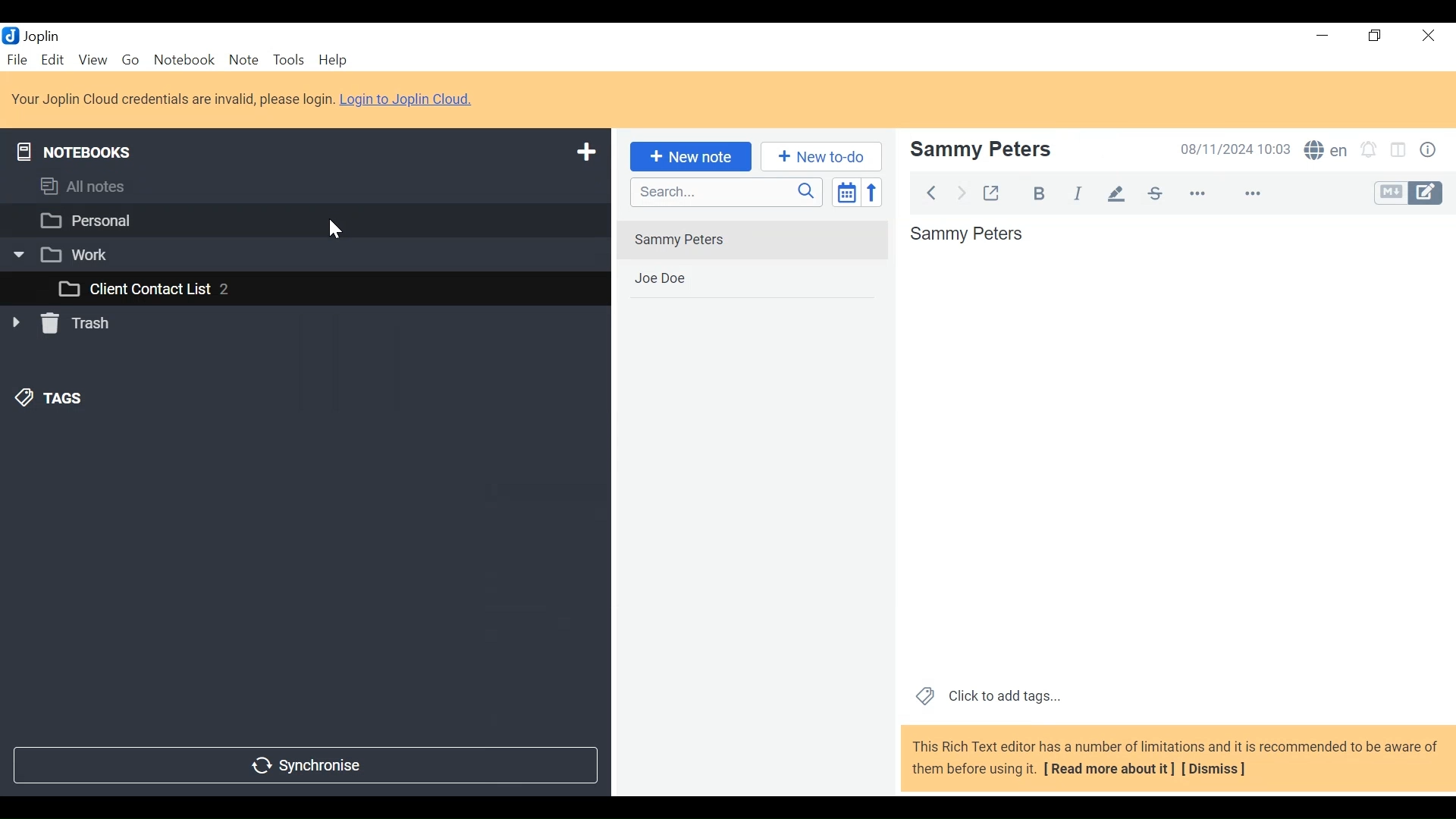 This screenshot has height=819, width=1456. Describe the element at coordinates (1225, 191) in the screenshot. I see `more options` at that location.